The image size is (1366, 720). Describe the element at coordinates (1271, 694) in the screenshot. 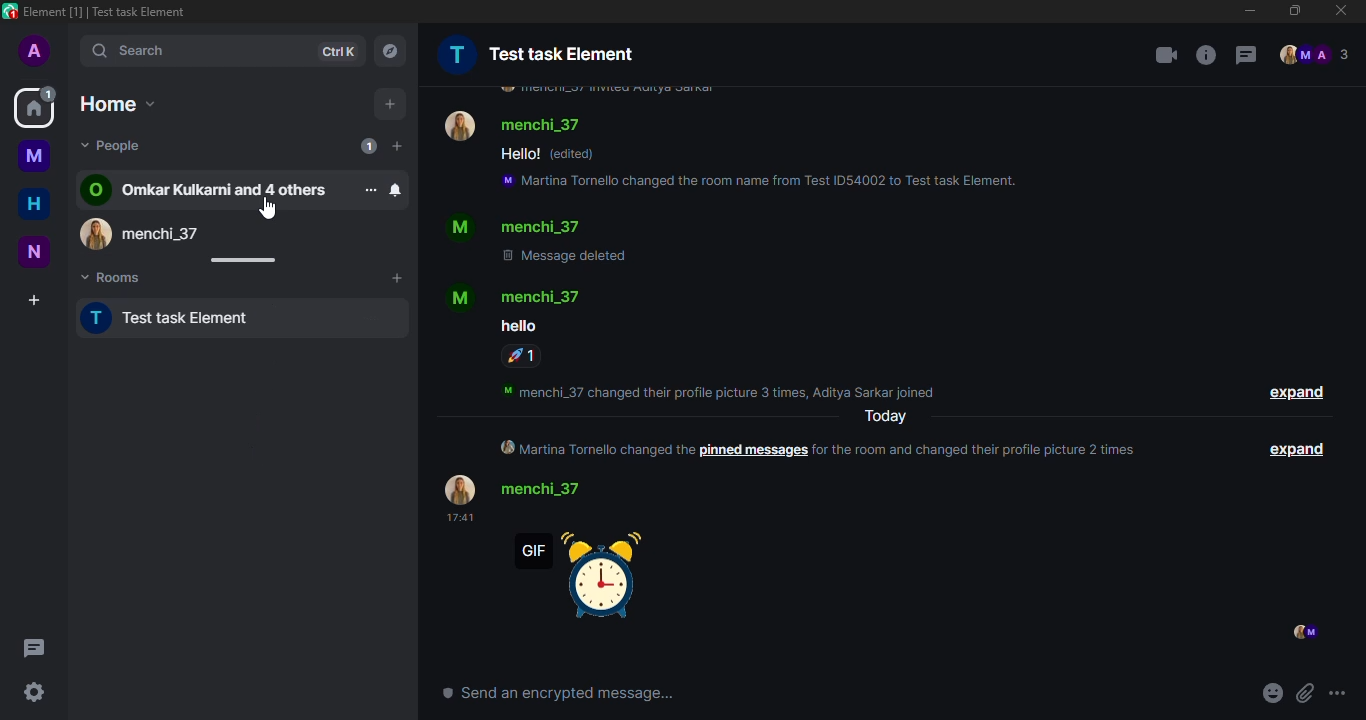

I see `emoji` at that location.